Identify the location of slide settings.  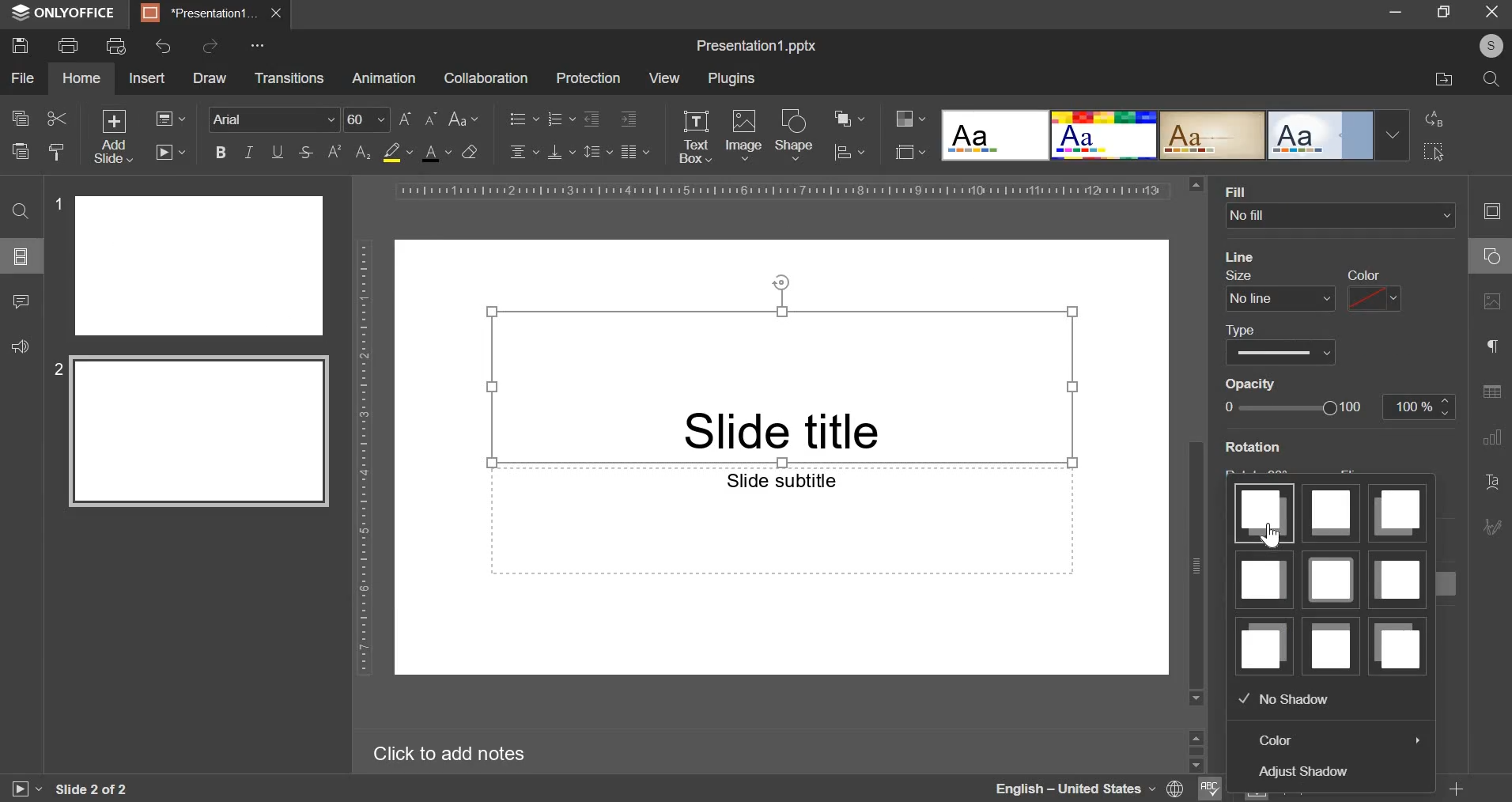
(1496, 211).